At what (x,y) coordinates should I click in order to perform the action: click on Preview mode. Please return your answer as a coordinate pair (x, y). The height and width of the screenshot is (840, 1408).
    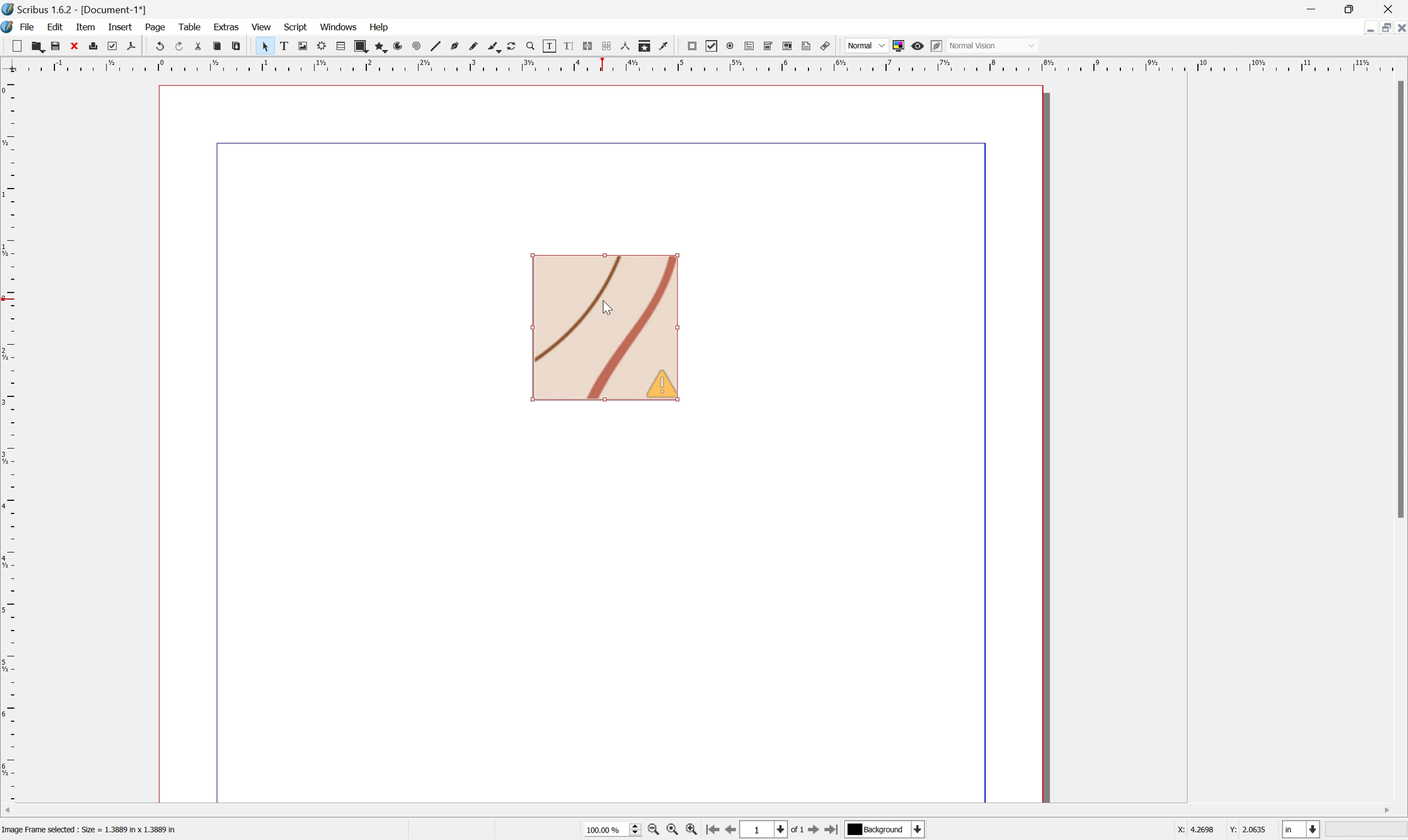
    Looking at the image, I should click on (920, 48).